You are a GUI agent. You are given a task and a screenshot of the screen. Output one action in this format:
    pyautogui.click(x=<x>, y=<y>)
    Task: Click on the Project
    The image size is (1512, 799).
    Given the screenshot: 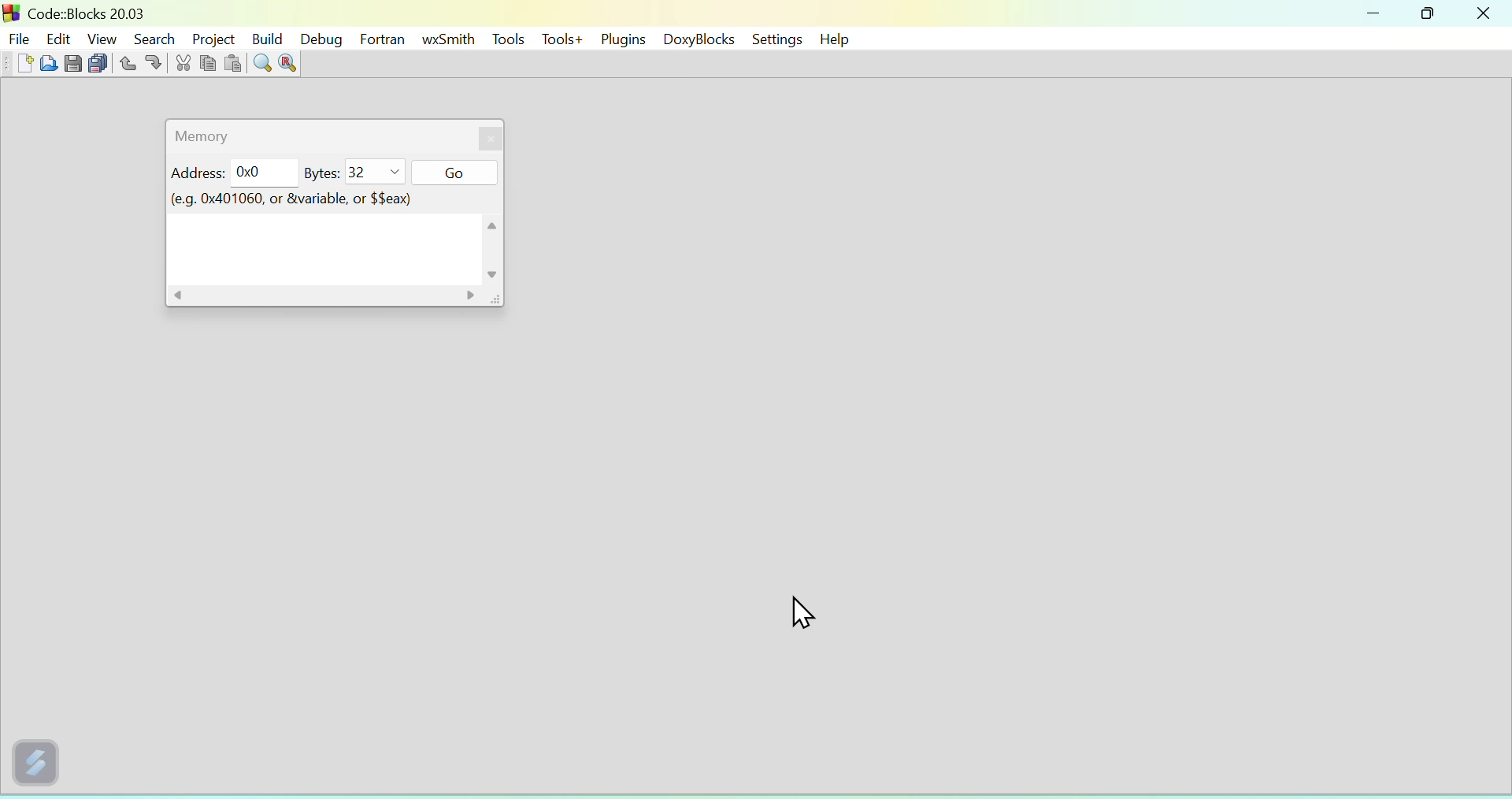 What is the action you would take?
    pyautogui.click(x=209, y=36)
    